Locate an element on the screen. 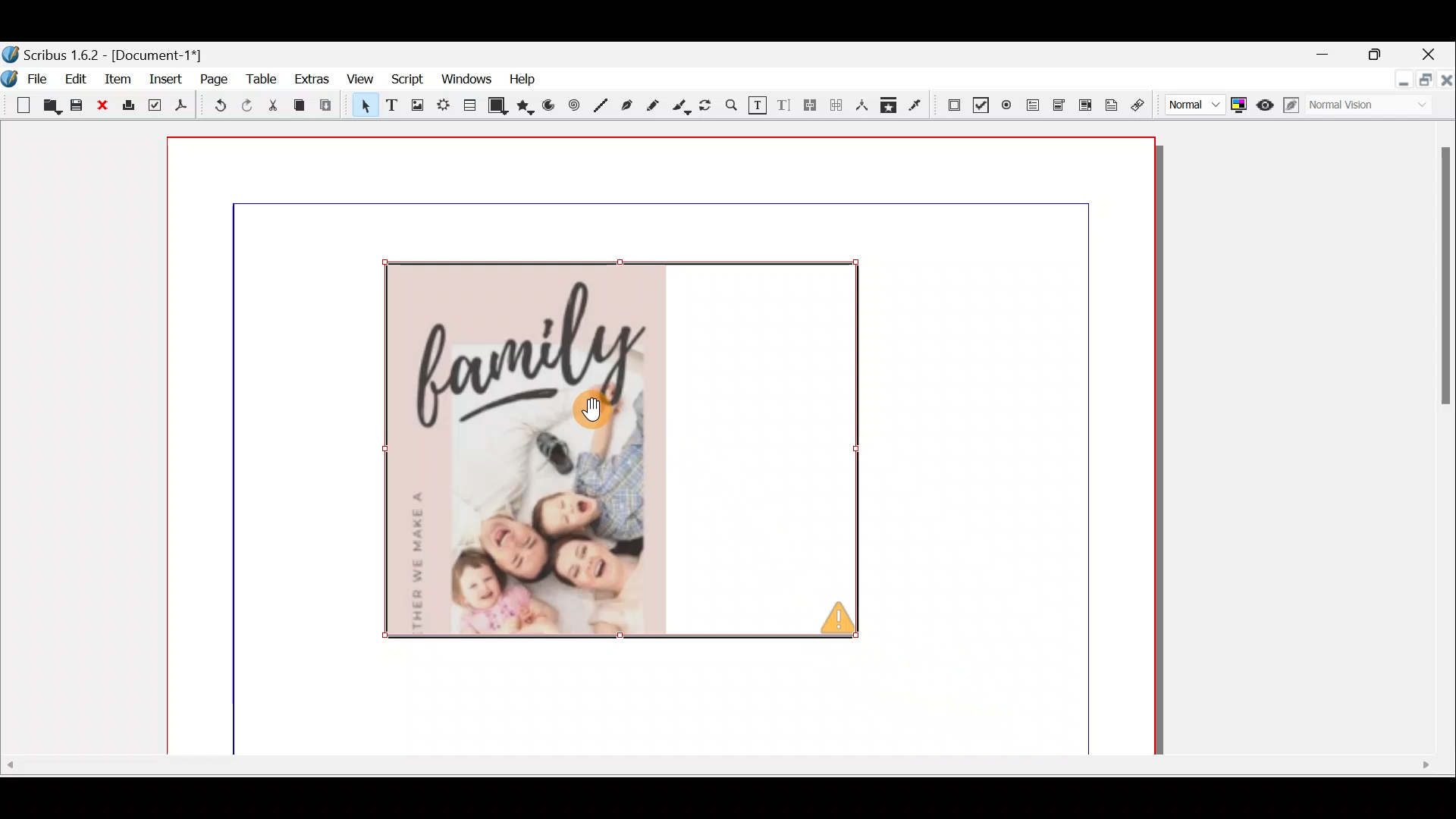  PDF list box is located at coordinates (1084, 108).